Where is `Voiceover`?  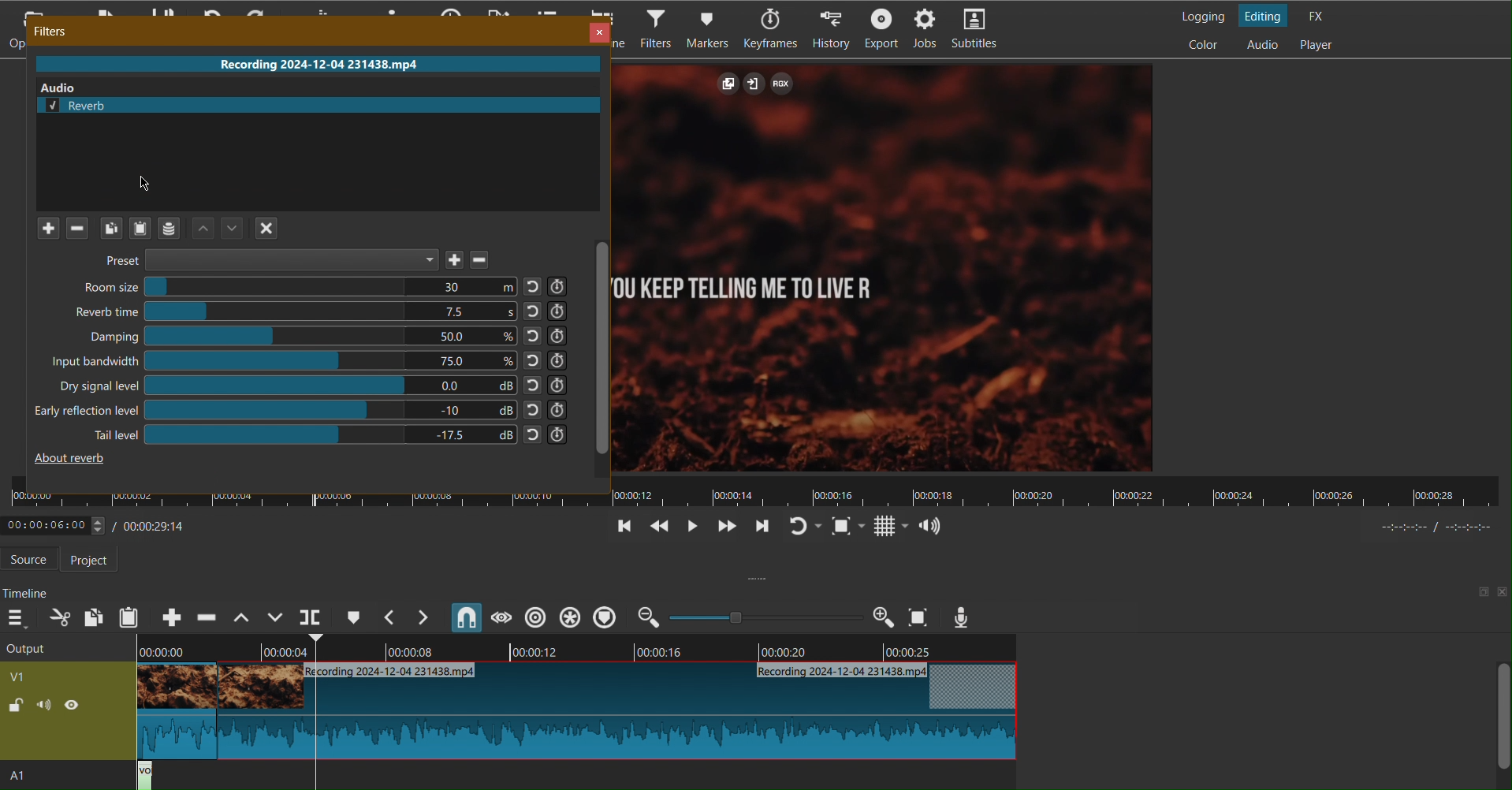 Voiceover is located at coordinates (963, 617).